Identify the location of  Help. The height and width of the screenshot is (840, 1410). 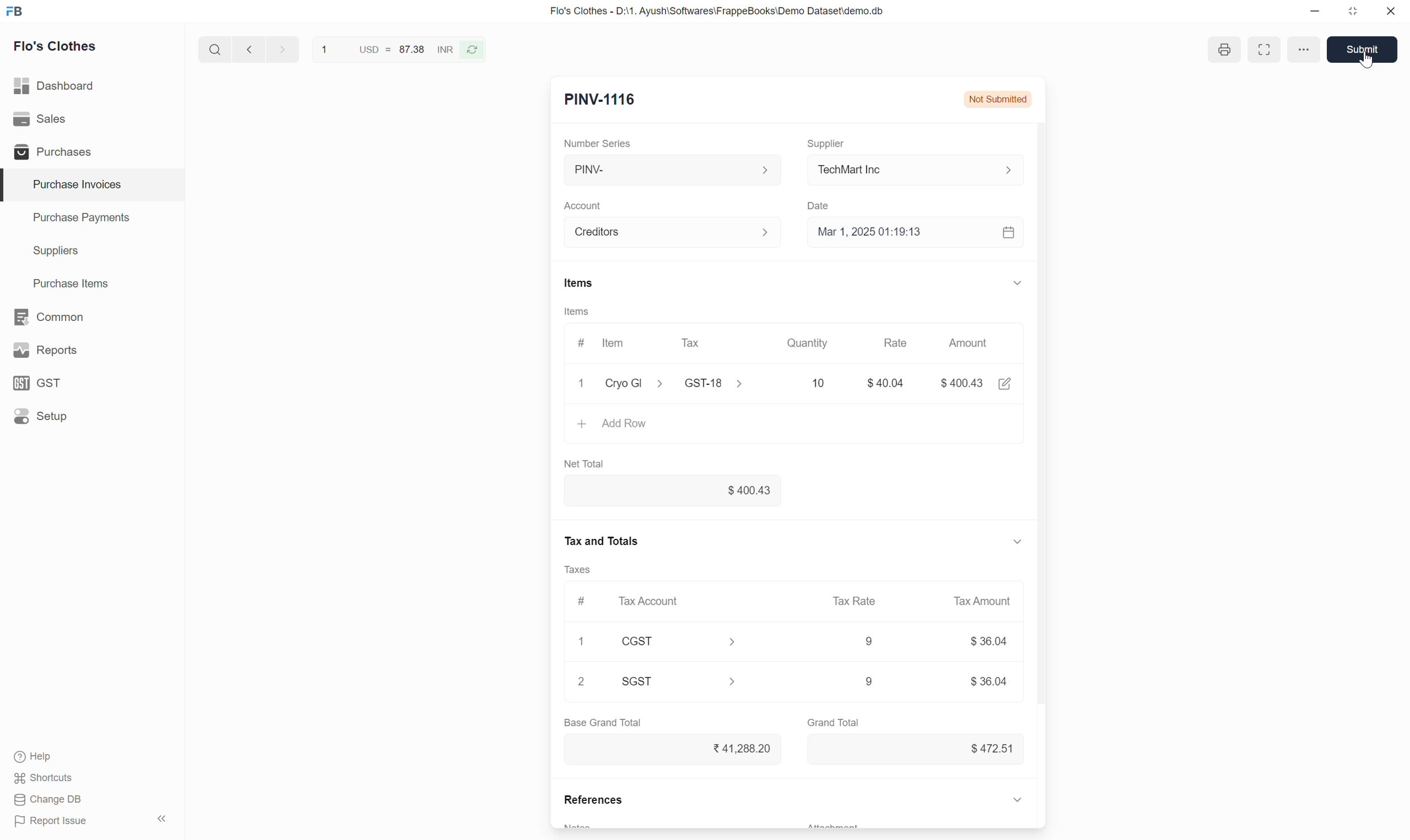
(46, 758).